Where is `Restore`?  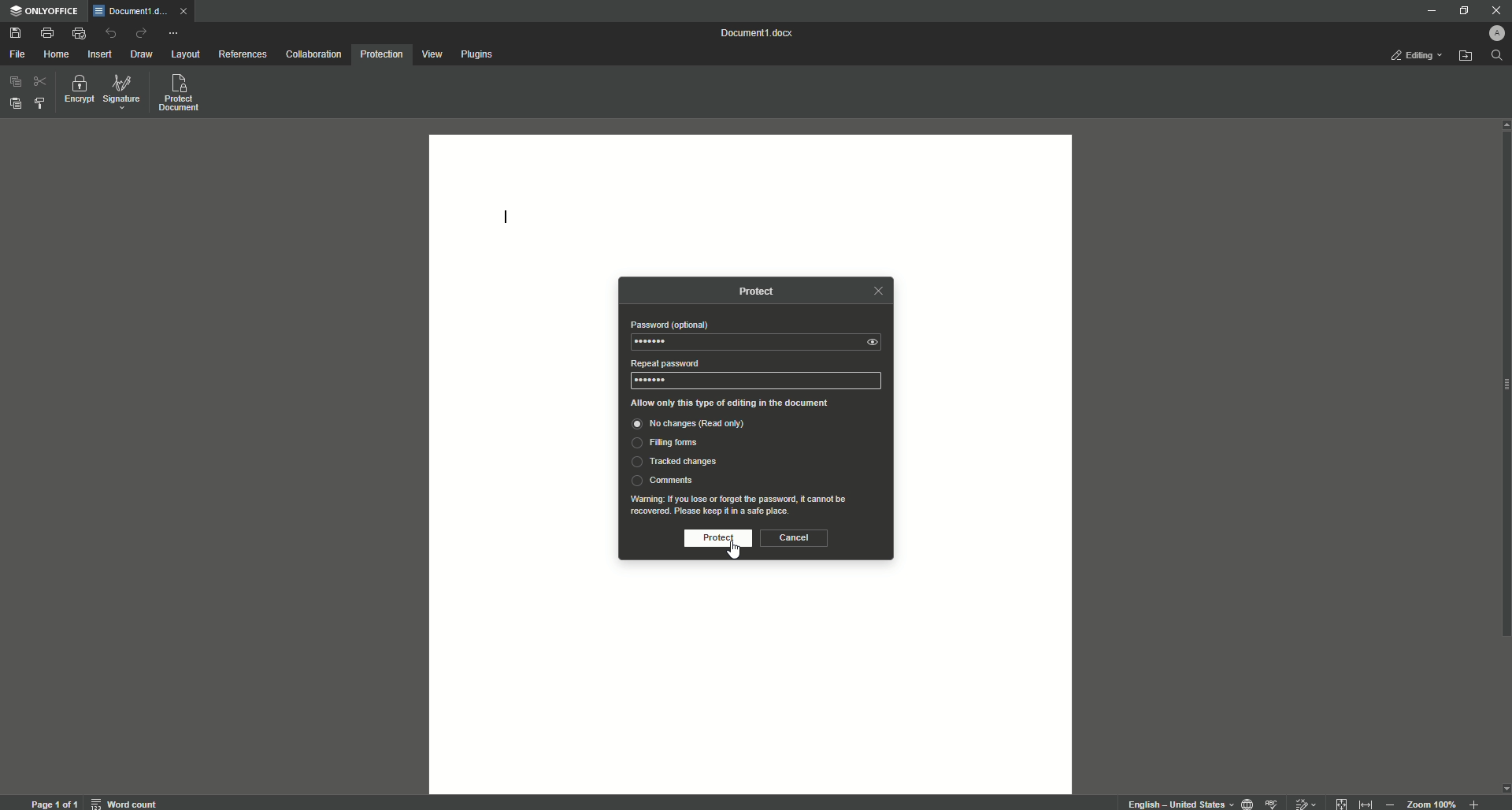 Restore is located at coordinates (1461, 10).